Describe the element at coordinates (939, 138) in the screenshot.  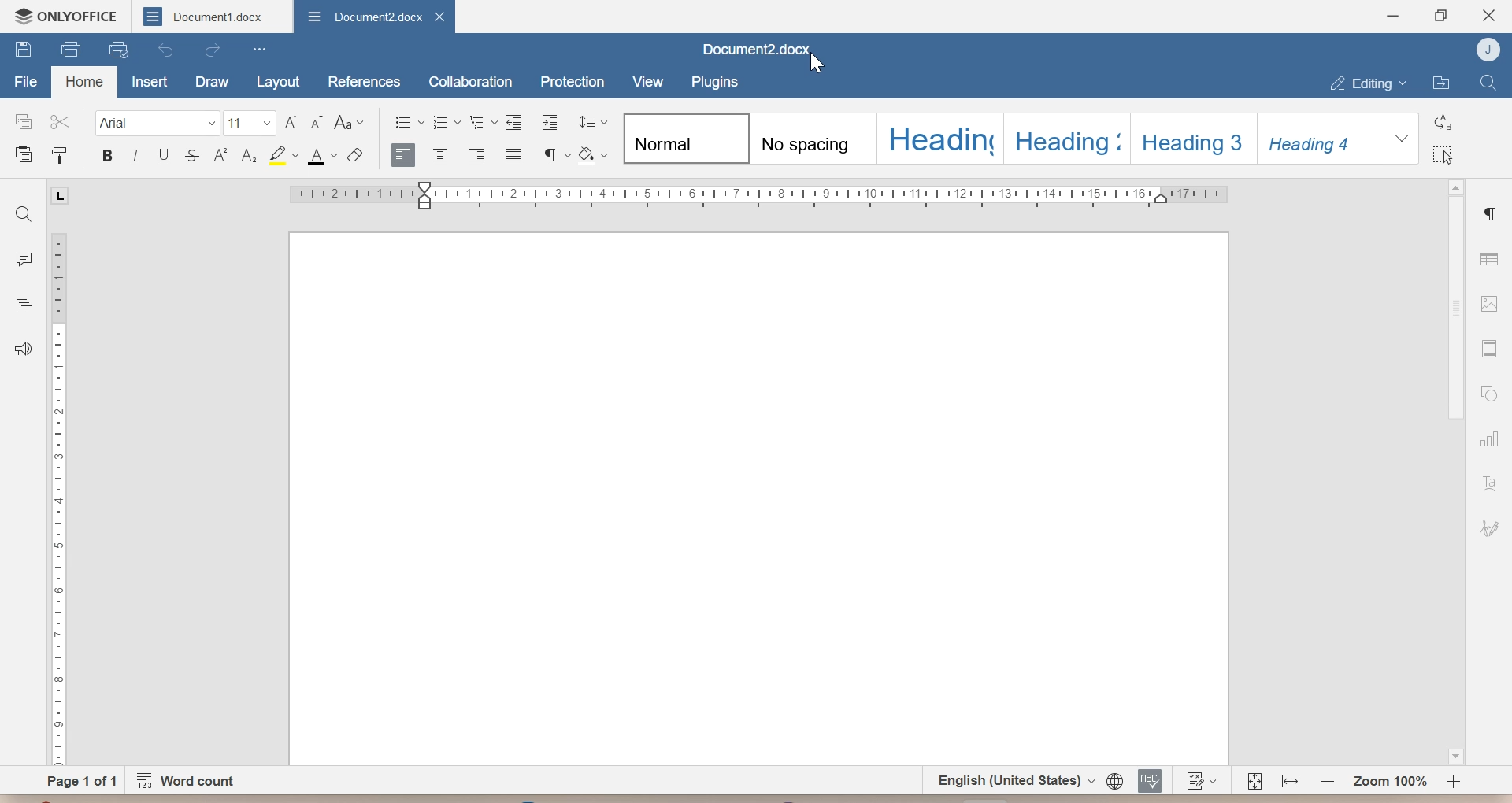
I see `Heading 1` at that location.